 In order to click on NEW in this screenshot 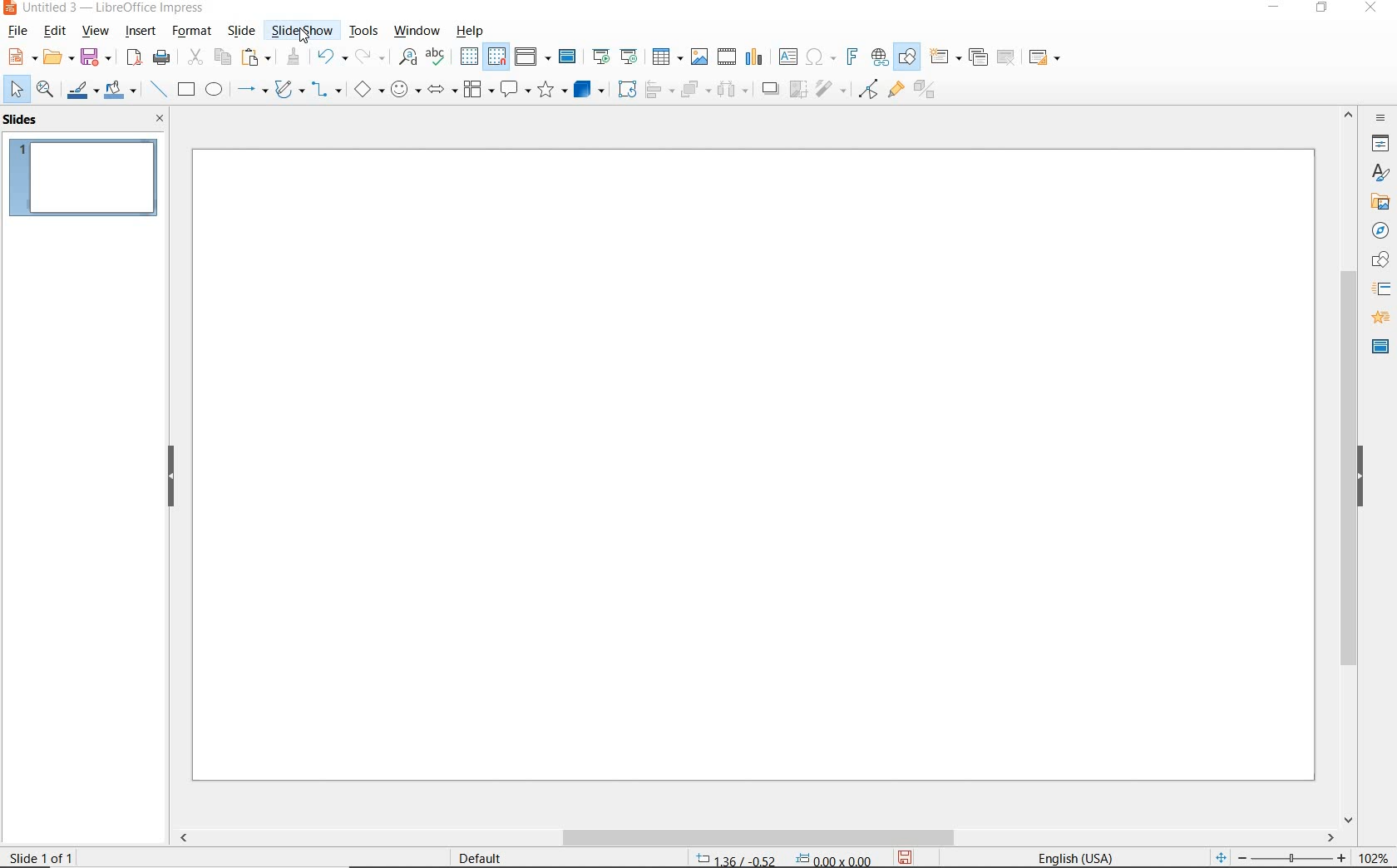, I will do `click(19, 56)`.